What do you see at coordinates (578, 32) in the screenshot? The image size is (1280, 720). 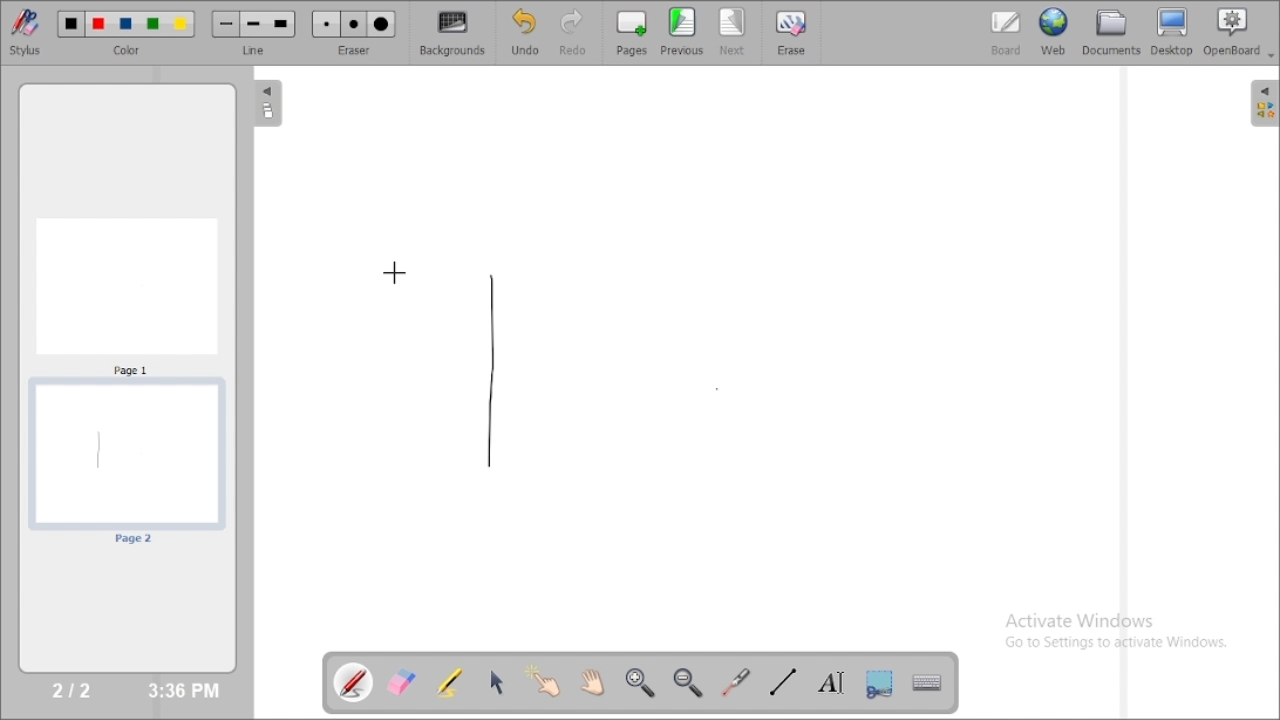 I see `redo` at bounding box center [578, 32].